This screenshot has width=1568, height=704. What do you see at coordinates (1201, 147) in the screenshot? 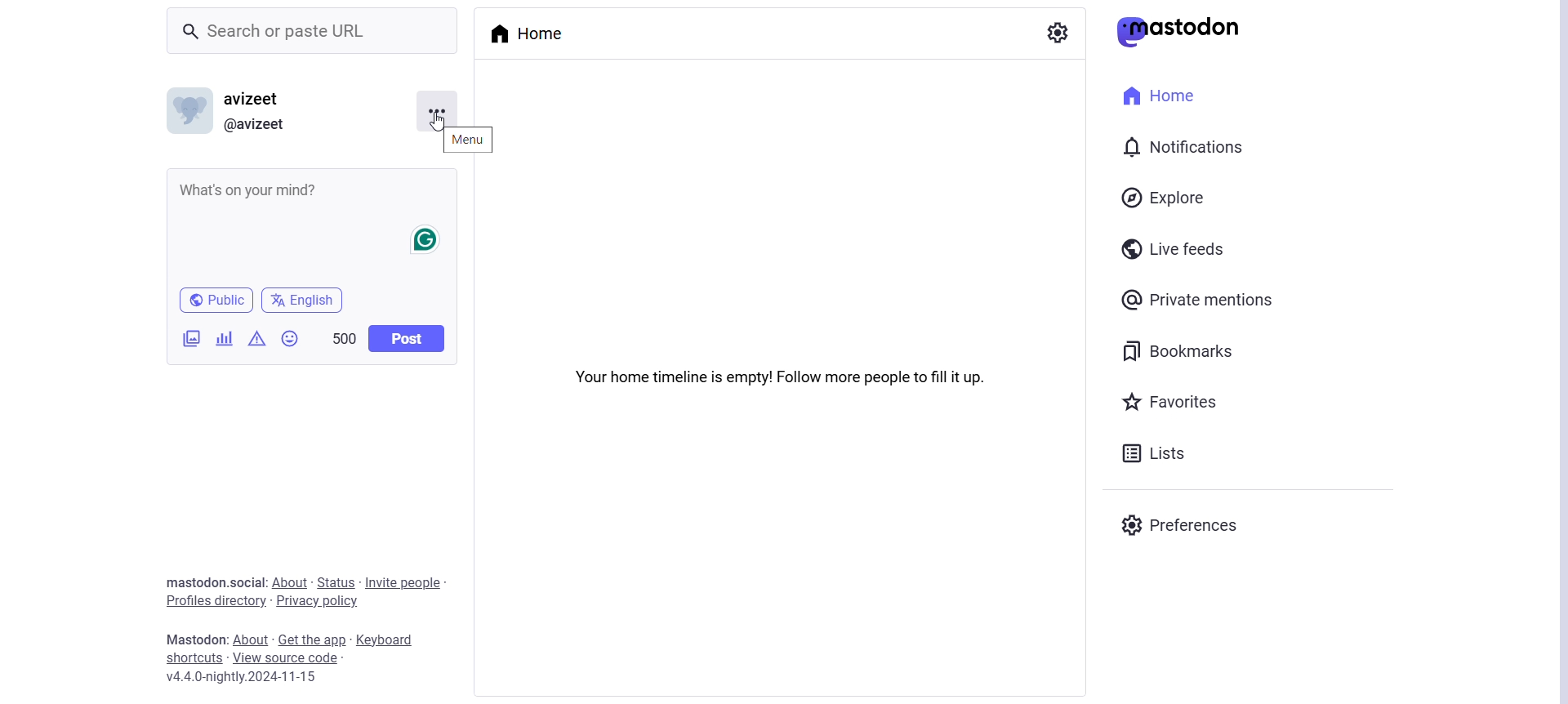
I see `Notification` at bounding box center [1201, 147].